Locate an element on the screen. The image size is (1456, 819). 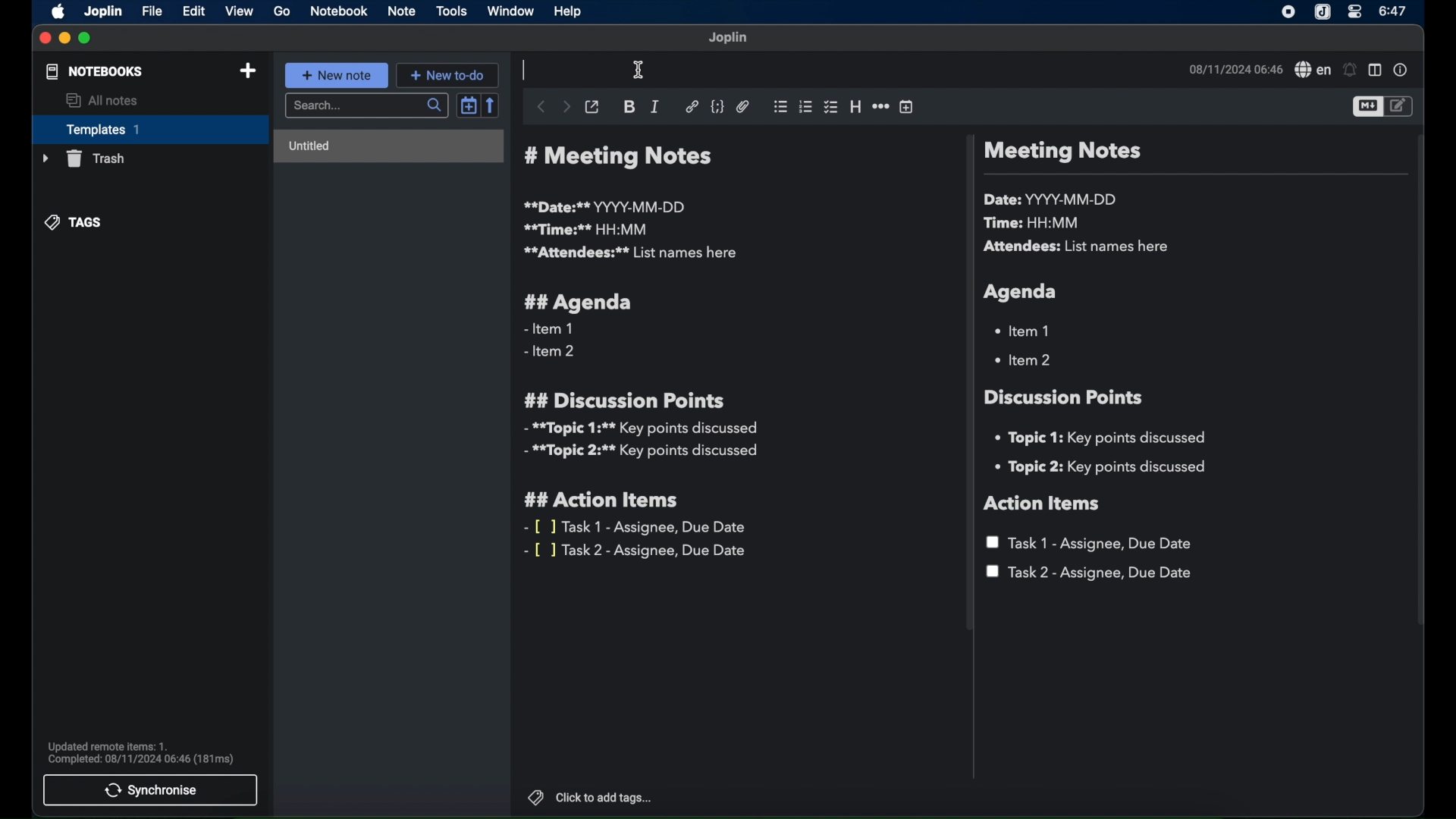
## agenda is located at coordinates (579, 303).